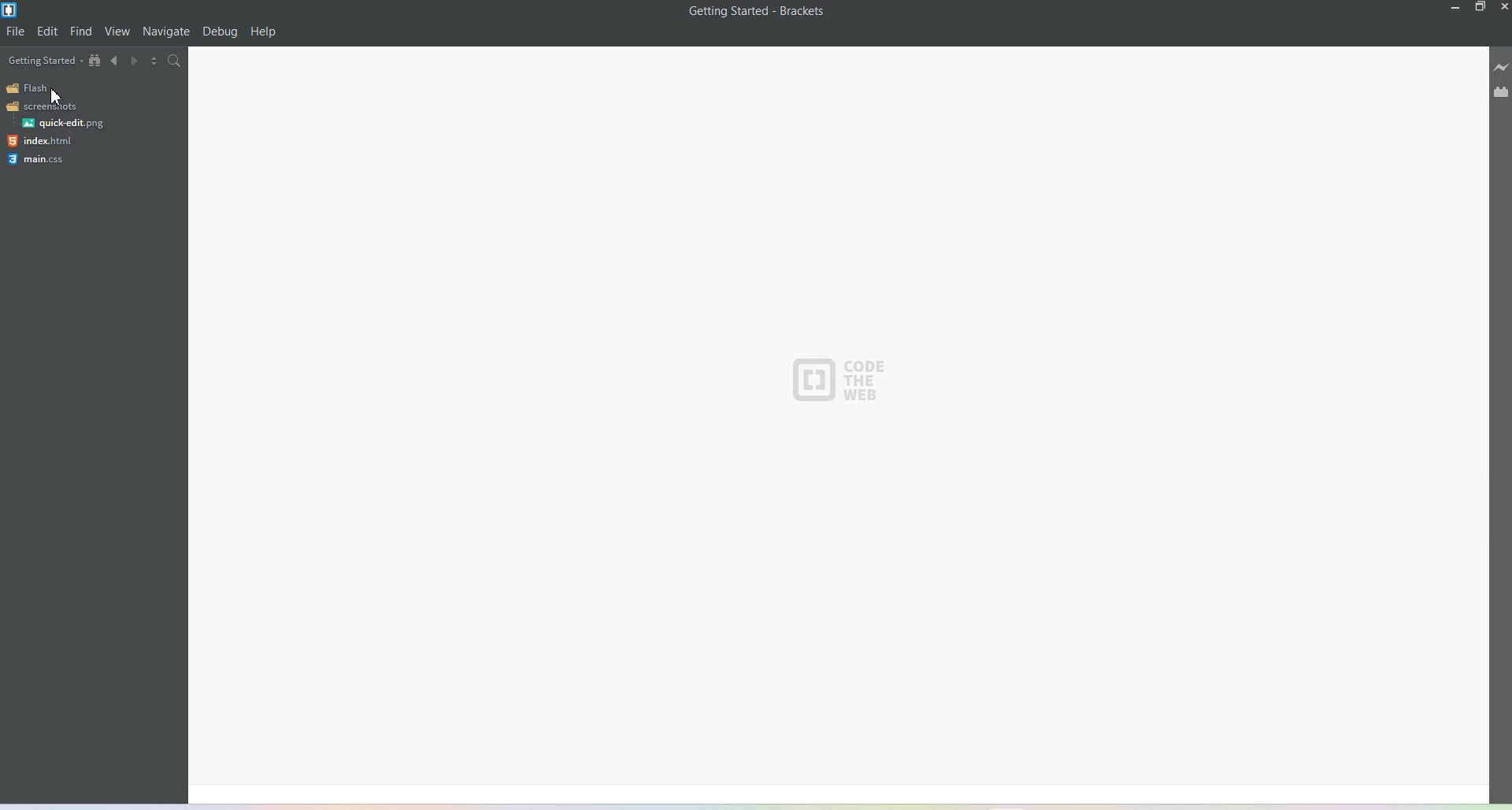  What do you see at coordinates (43, 57) in the screenshot?
I see `Getting Started` at bounding box center [43, 57].